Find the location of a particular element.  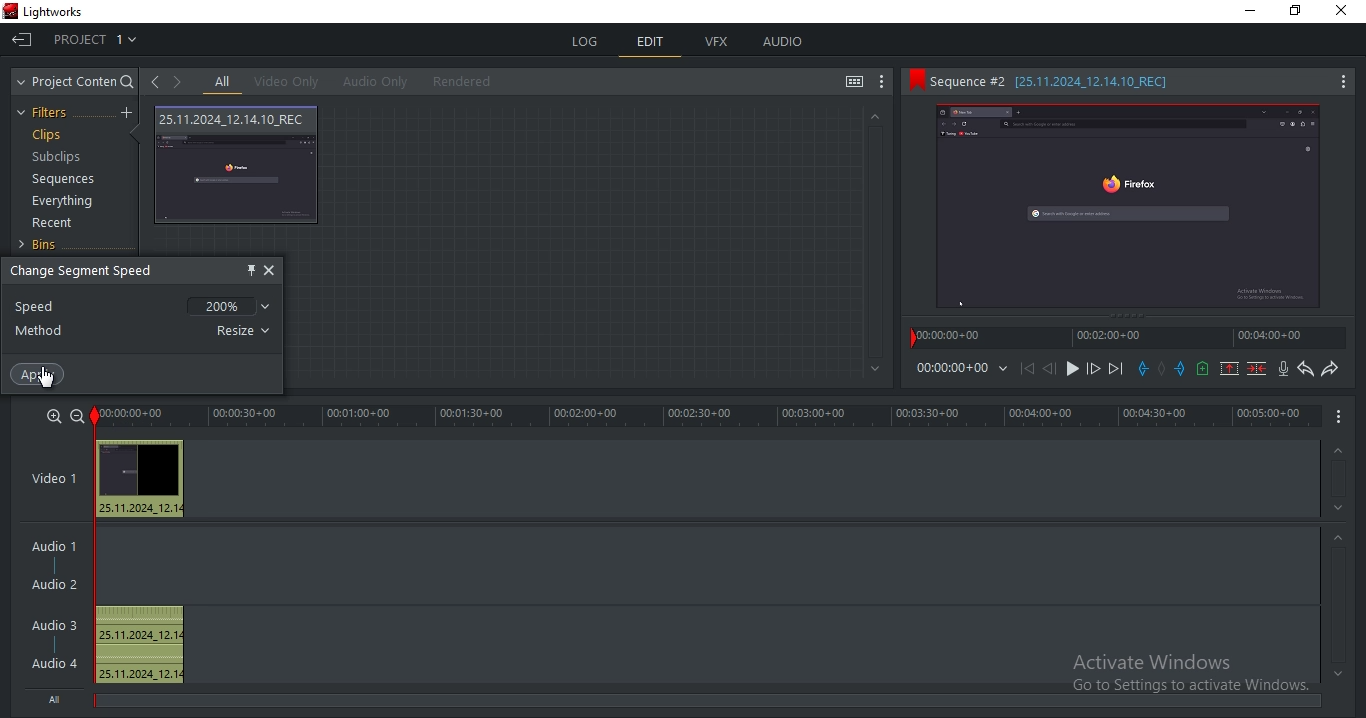

delete the marked section is located at coordinates (1257, 368).